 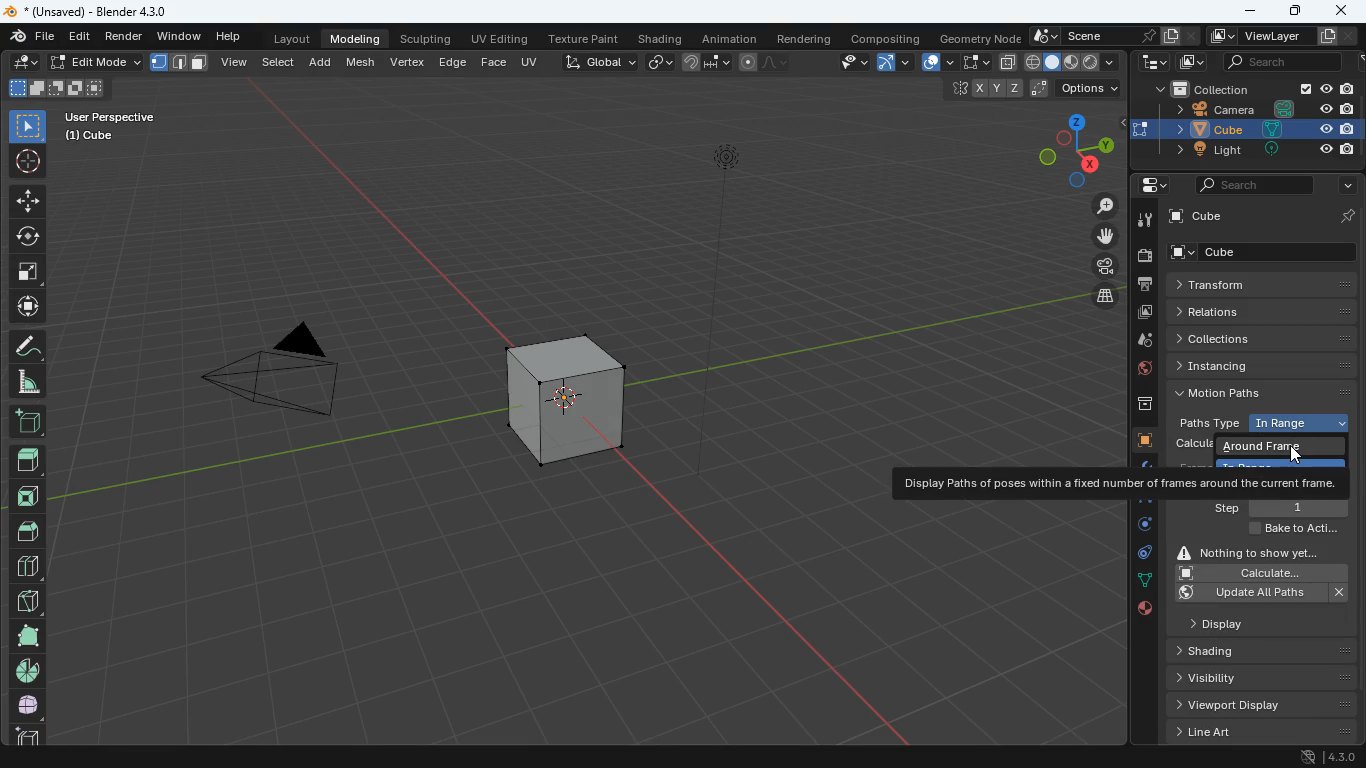 What do you see at coordinates (663, 40) in the screenshot?
I see `shading` at bounding box center [663, 40].